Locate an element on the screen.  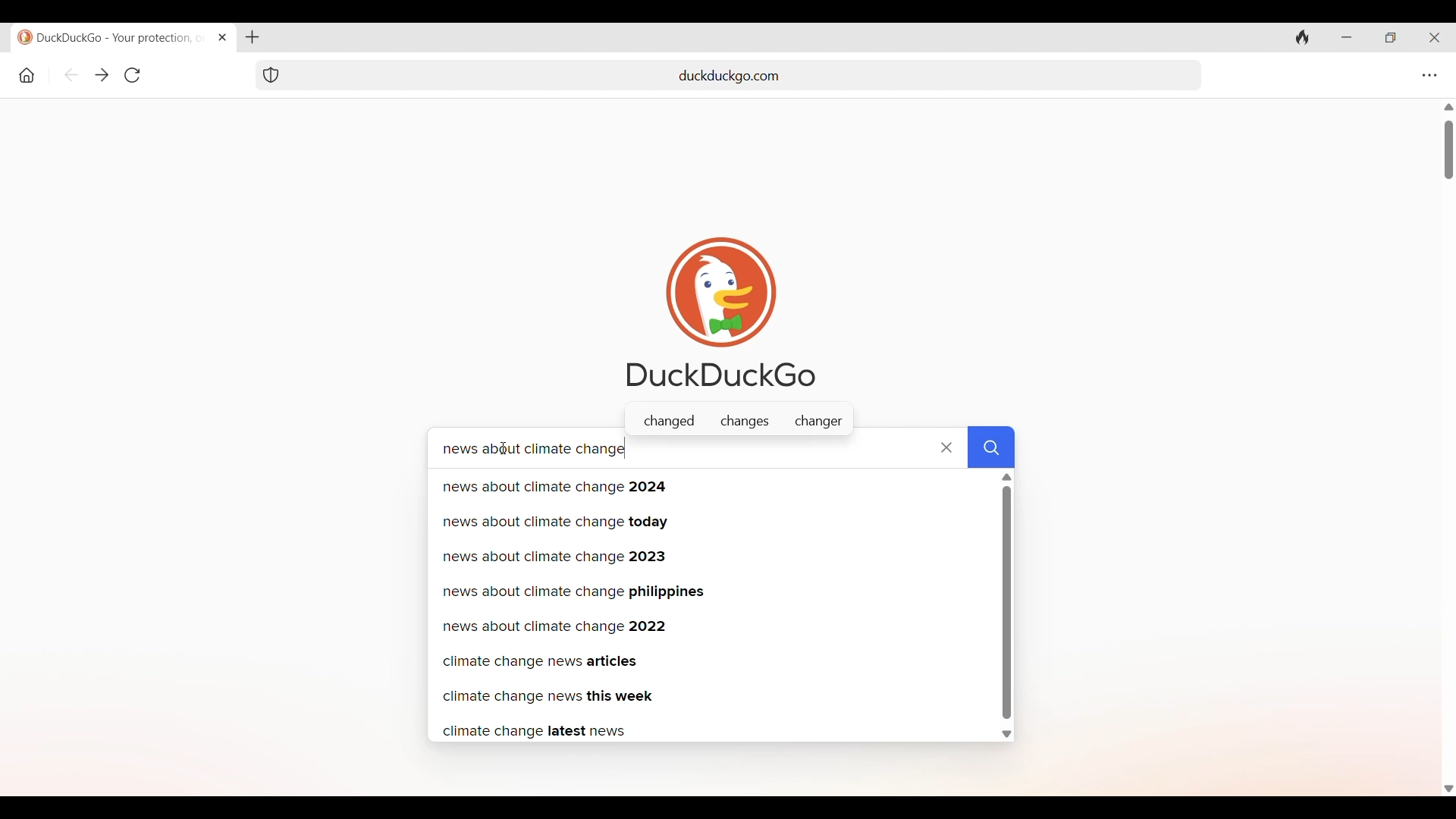
Vertical slide bar is located at coordinates (1006, 602).